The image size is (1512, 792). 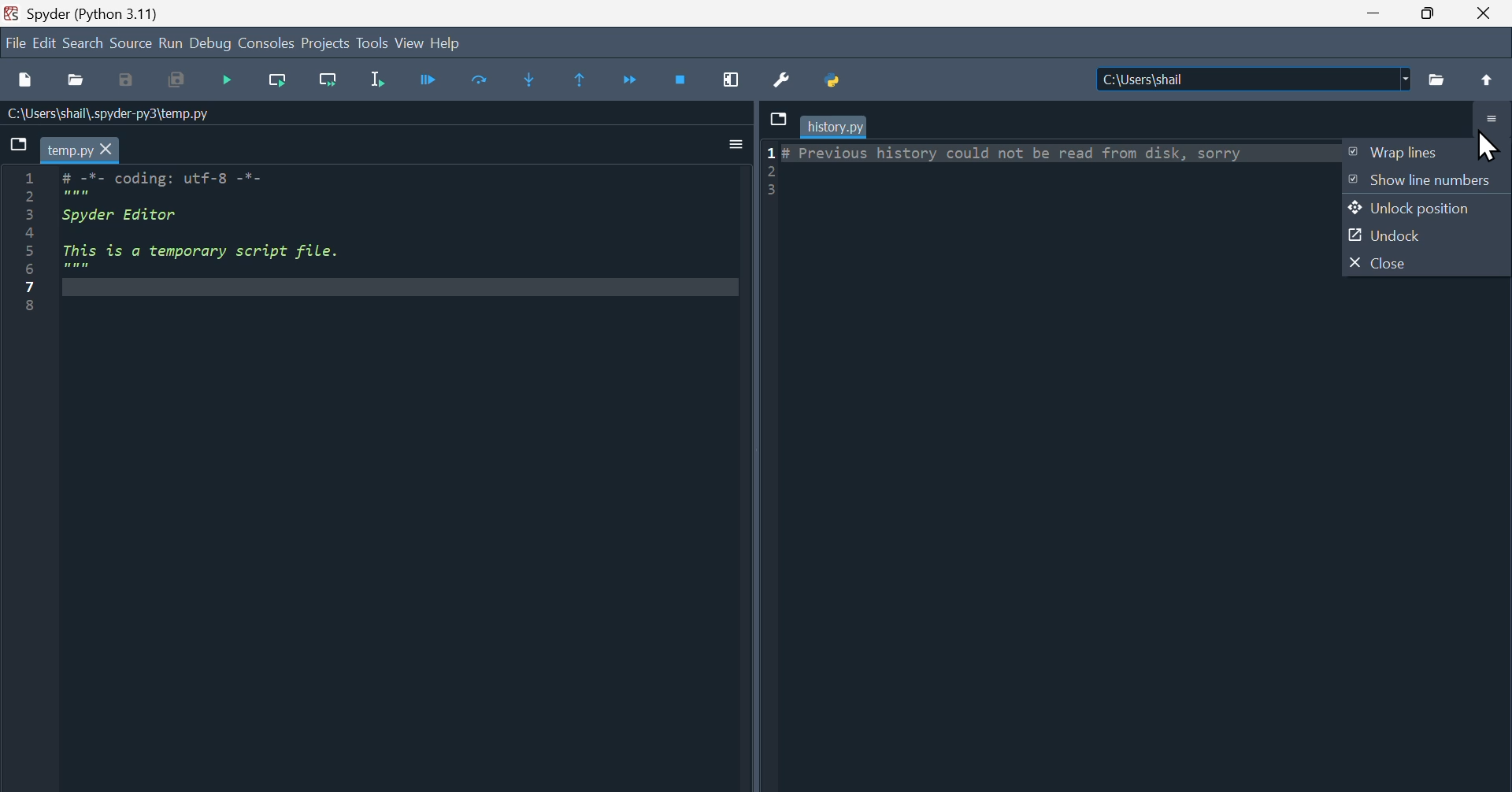 I want to click on Spyder Desktop Icon, so click(x=9, y=13).